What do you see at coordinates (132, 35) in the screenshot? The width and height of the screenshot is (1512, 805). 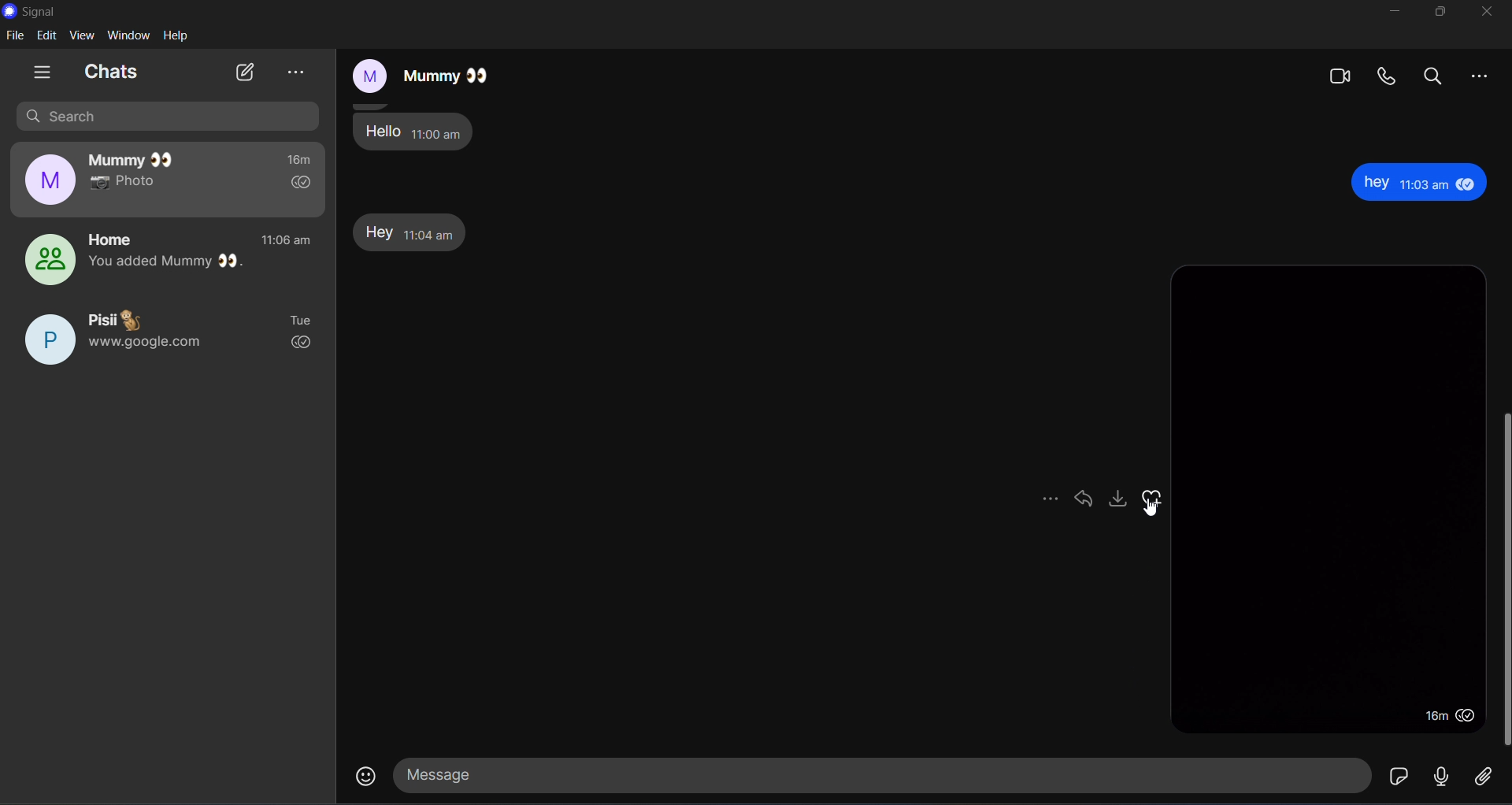 I see `window` at bounding box center [132, 35].